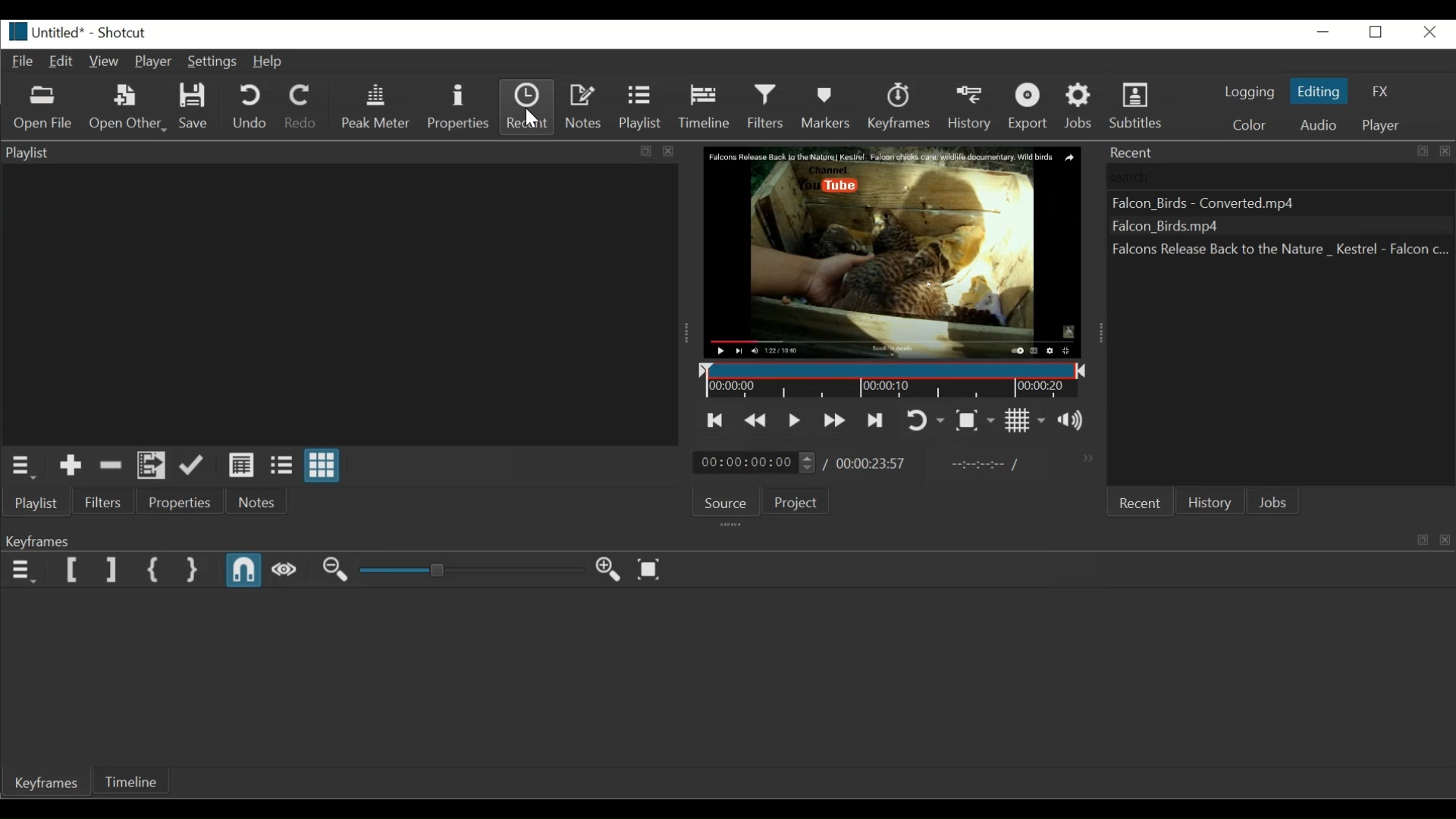 The width and height of the screenshot is (1456, 819). What do you see at coordinates (1141, 503) in the screenshot?
I see `Recent` at bounding box center [1141, 503].